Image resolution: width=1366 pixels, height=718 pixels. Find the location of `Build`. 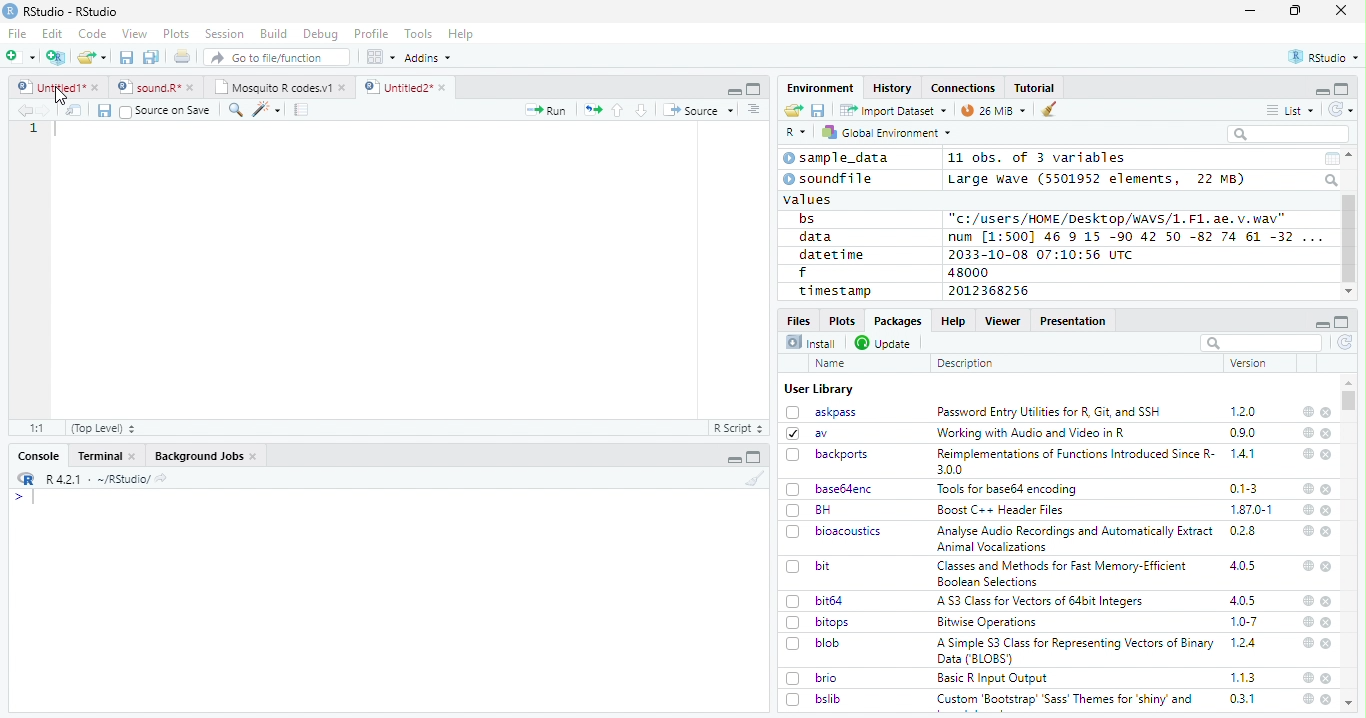

Build is located at coordinates (273, 34).